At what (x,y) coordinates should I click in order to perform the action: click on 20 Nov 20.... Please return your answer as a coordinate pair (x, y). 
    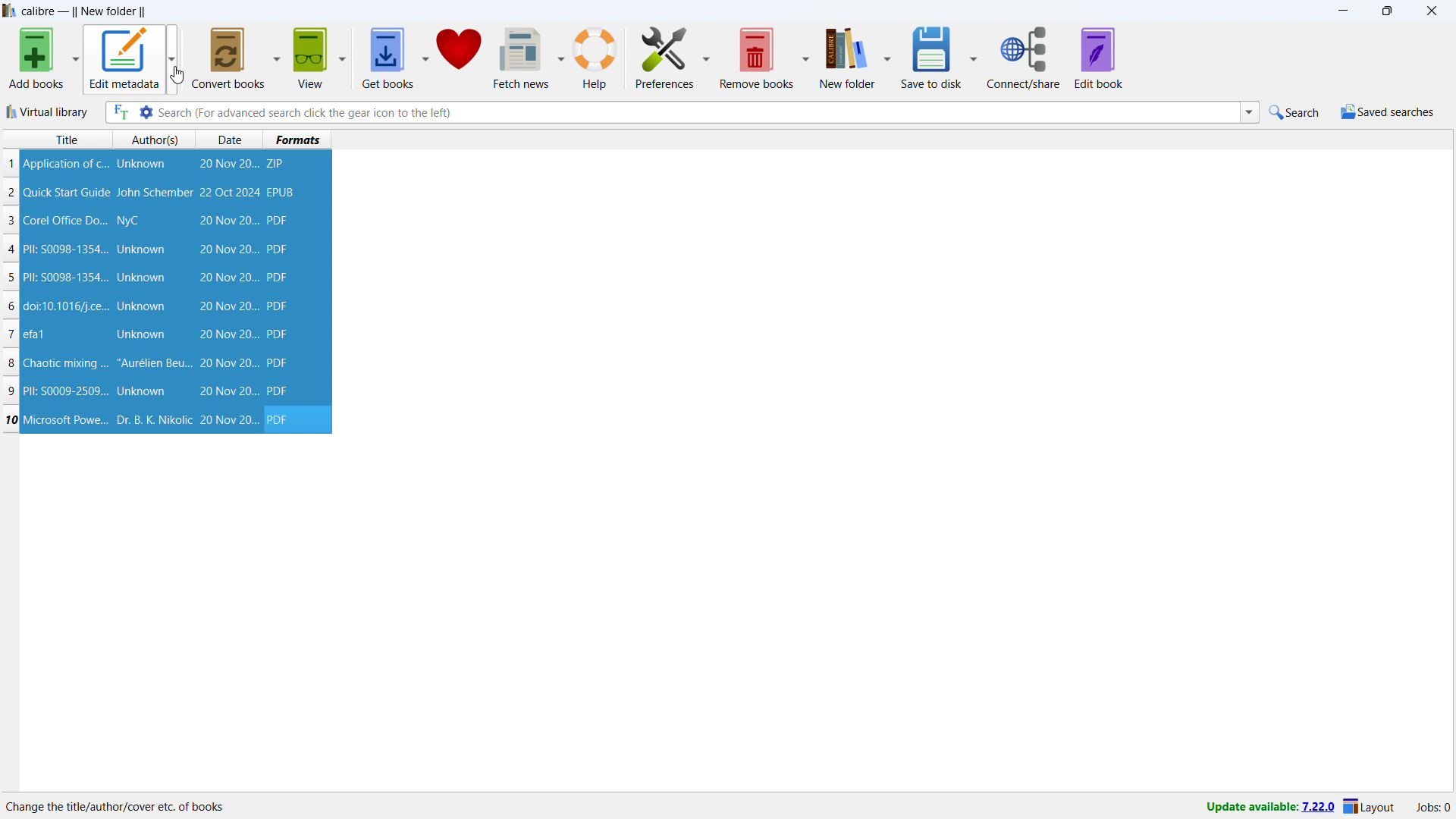
    Looking at the image, I should click on (228, 221).